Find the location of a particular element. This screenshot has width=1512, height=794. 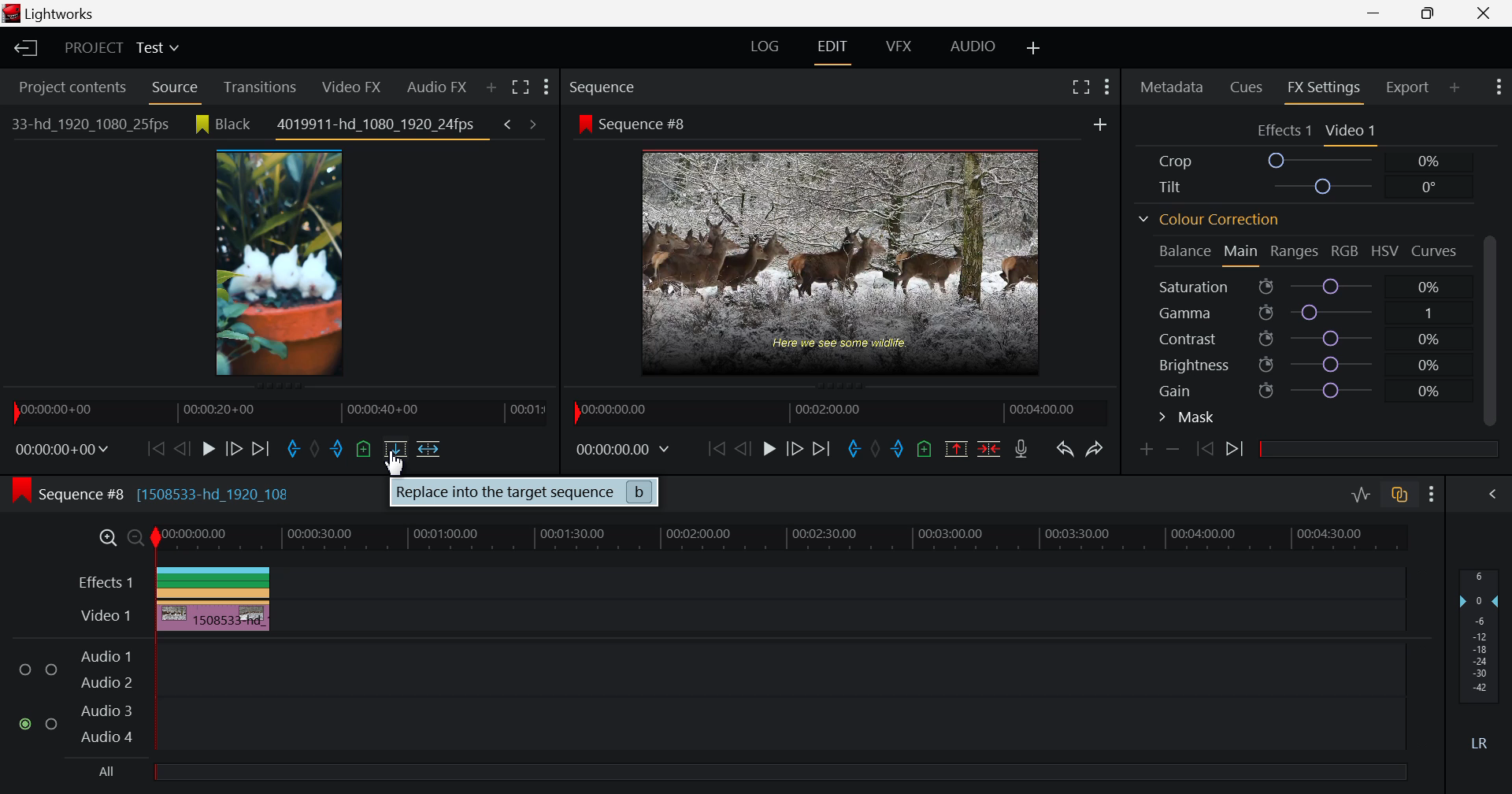

Full Screen is located at coordinates (1081, 86).